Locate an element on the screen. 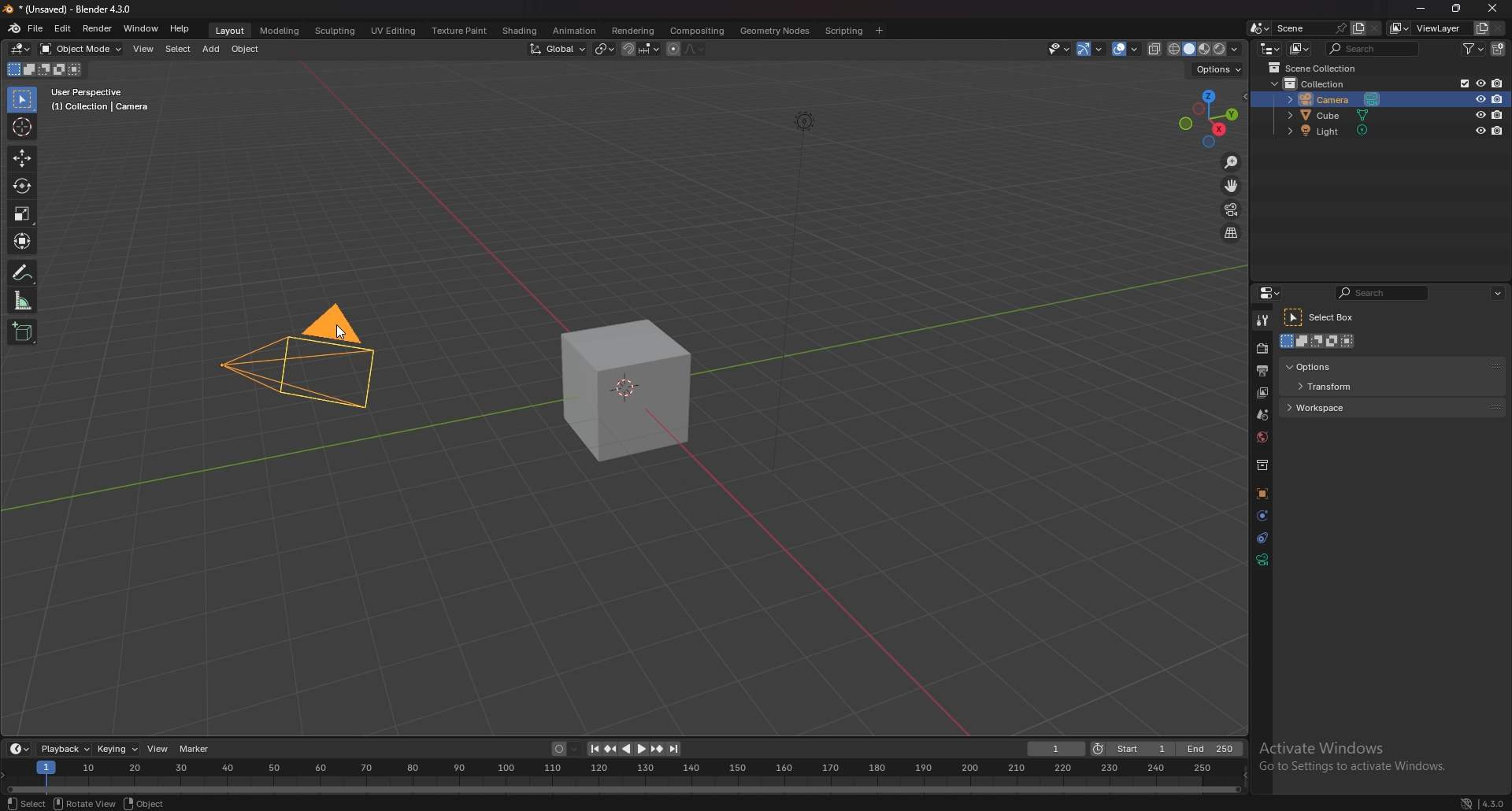 The image size is (1512, 811). Cursor is located at coordinates (346, 334).